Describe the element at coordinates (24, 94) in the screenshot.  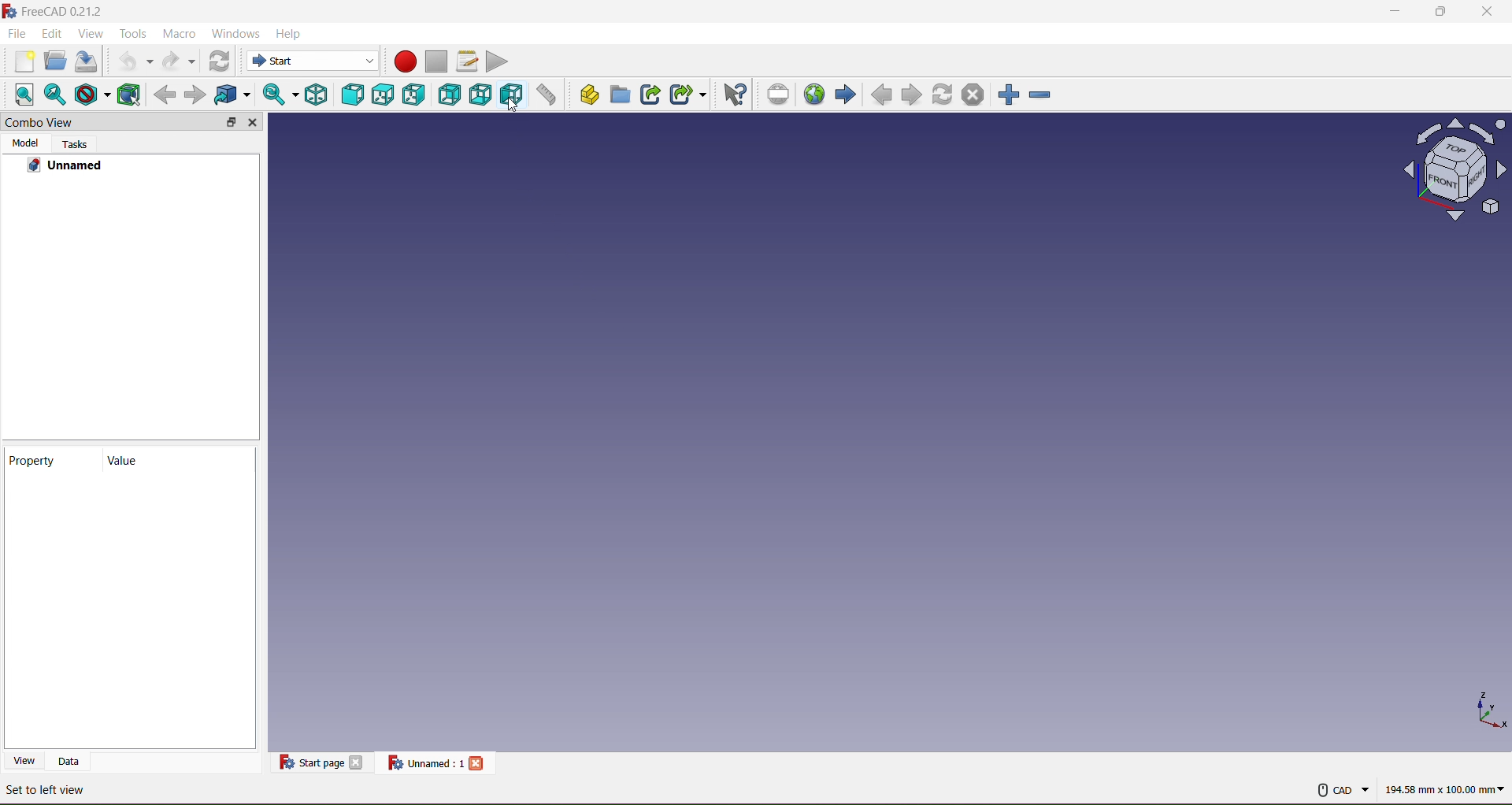
I see `Align to selection` at that location.